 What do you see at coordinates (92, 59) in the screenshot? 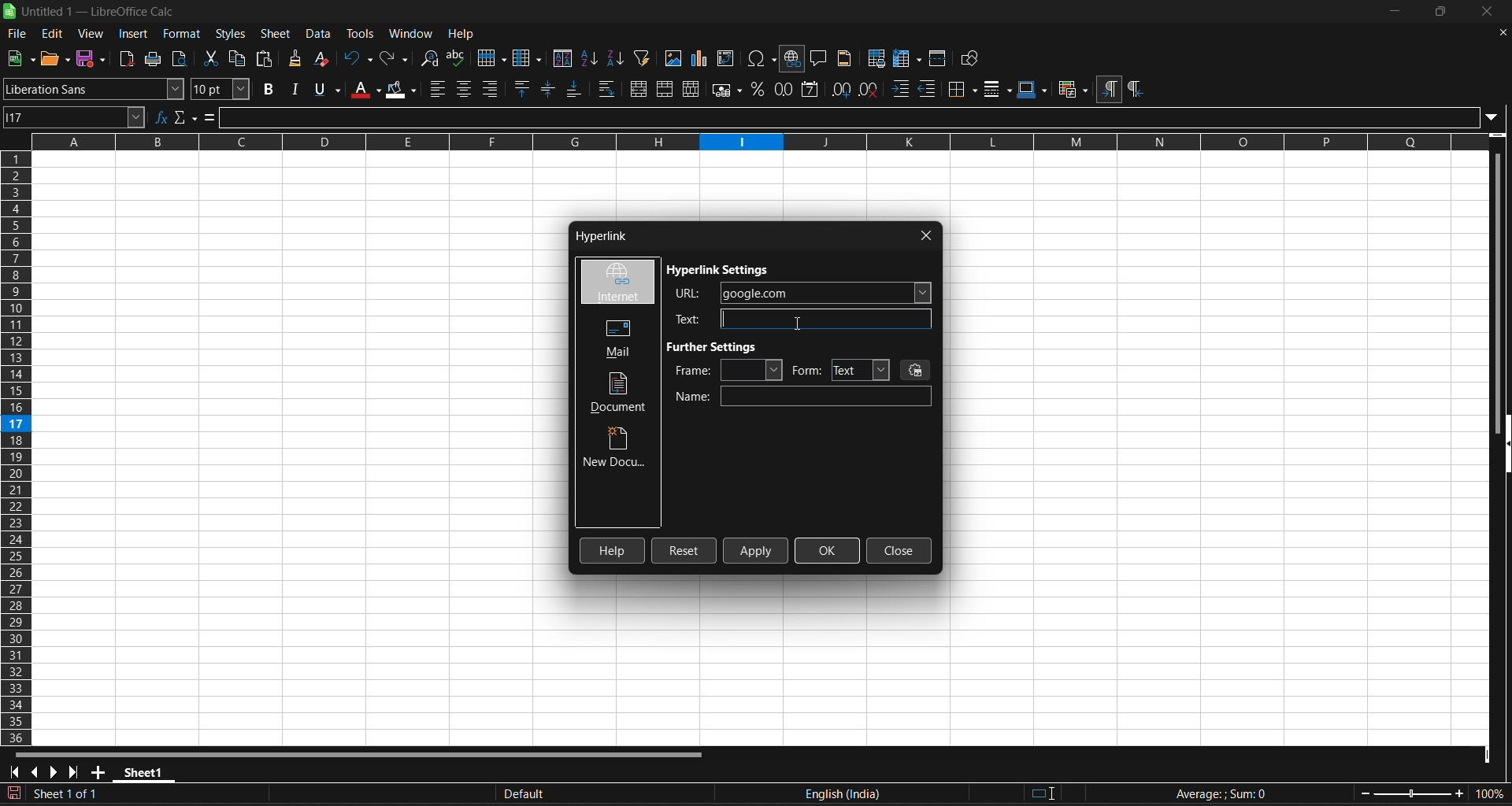
I see `save` at bounding box center [92, 59].